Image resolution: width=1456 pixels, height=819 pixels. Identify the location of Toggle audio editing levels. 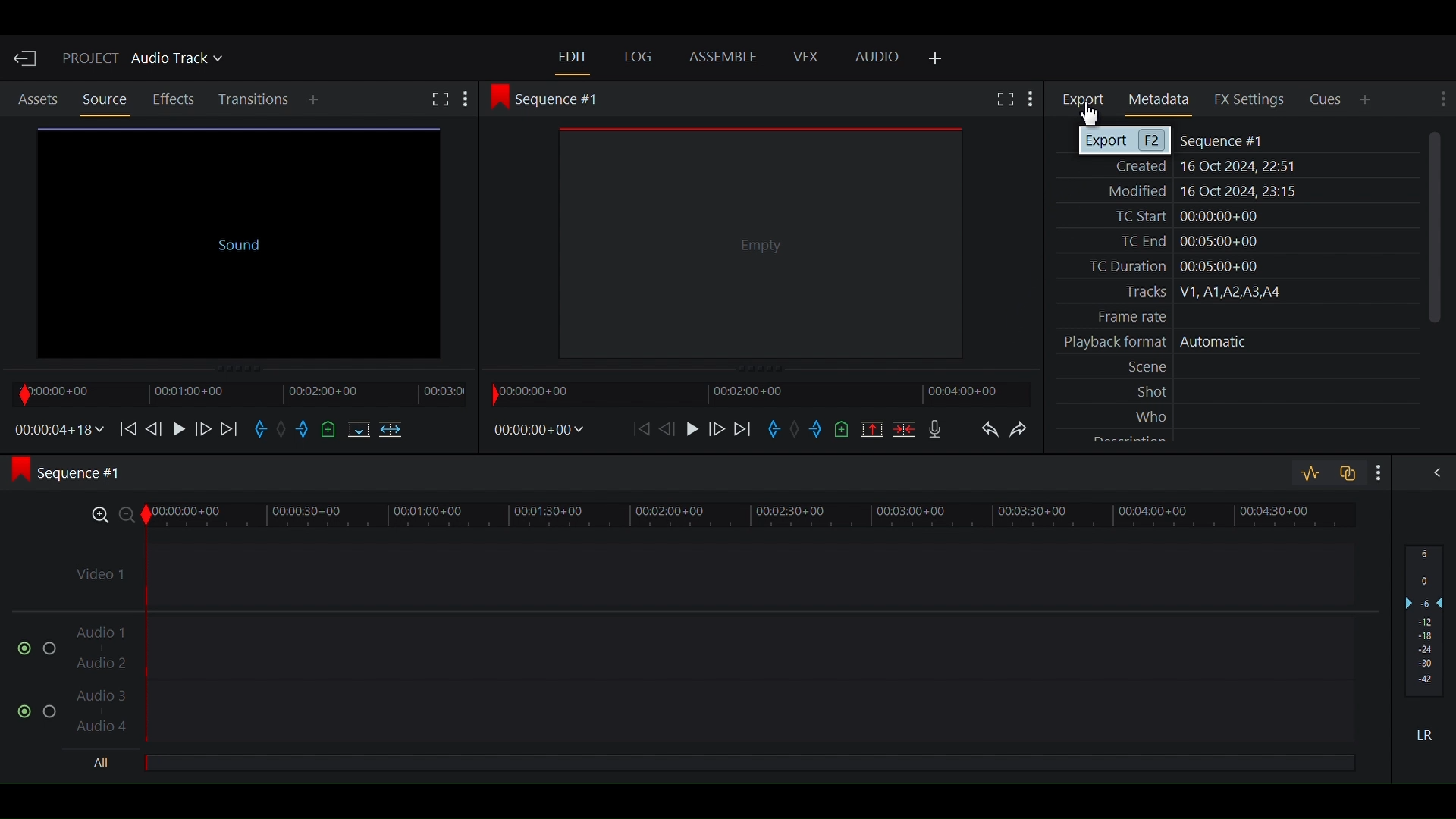
(1310, 474).